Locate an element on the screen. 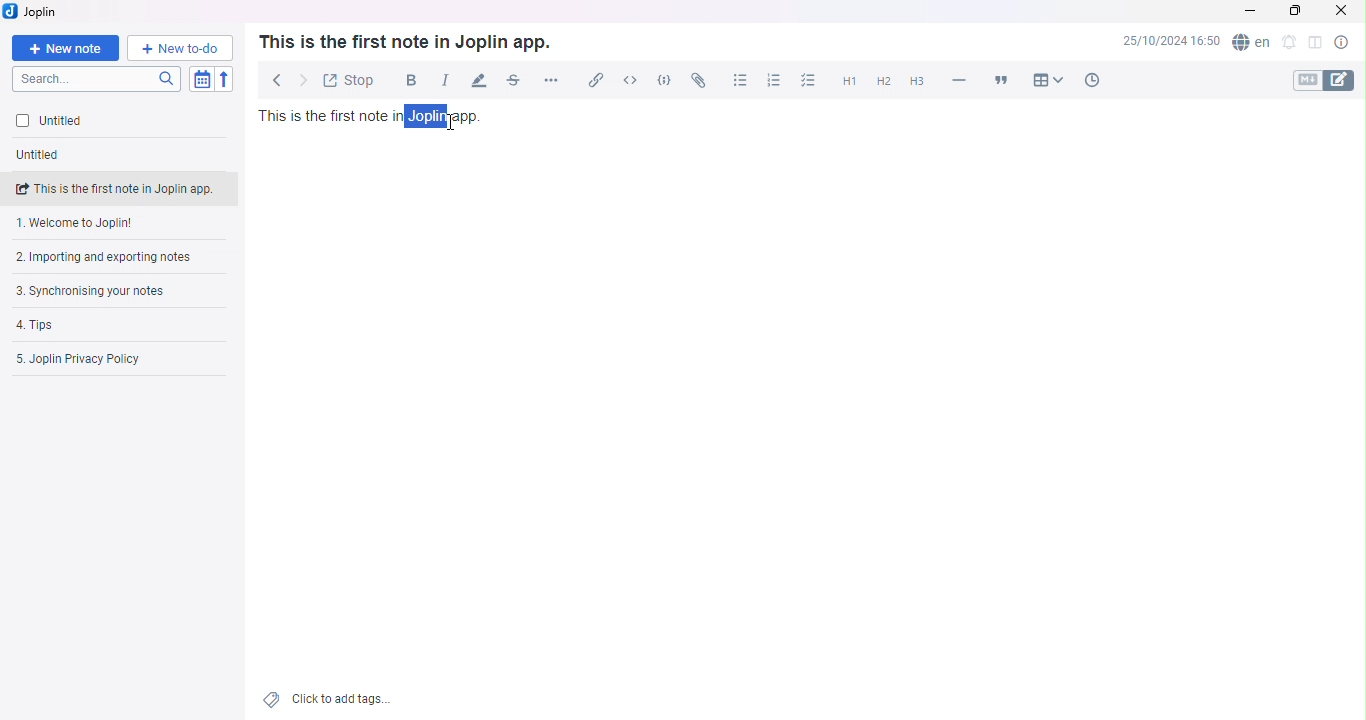 The height and width of the screenshot is (720, 1366). Date and Time is located at coordinates (1170, 44).